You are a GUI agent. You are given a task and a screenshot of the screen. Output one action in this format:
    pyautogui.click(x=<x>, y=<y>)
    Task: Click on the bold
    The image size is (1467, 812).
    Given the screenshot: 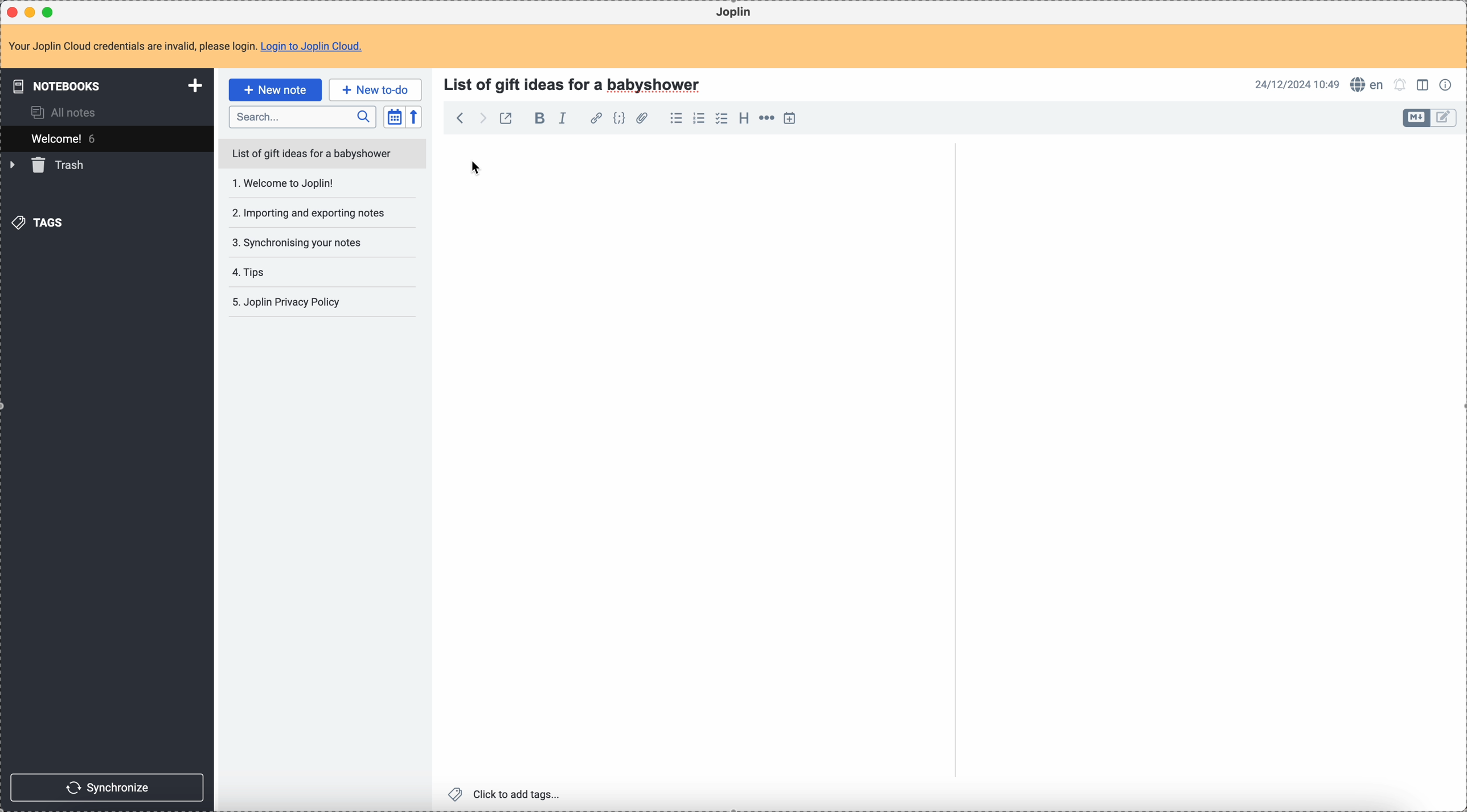 What is the action you would take?
    pyautogui.click(x=539, y=120)
    